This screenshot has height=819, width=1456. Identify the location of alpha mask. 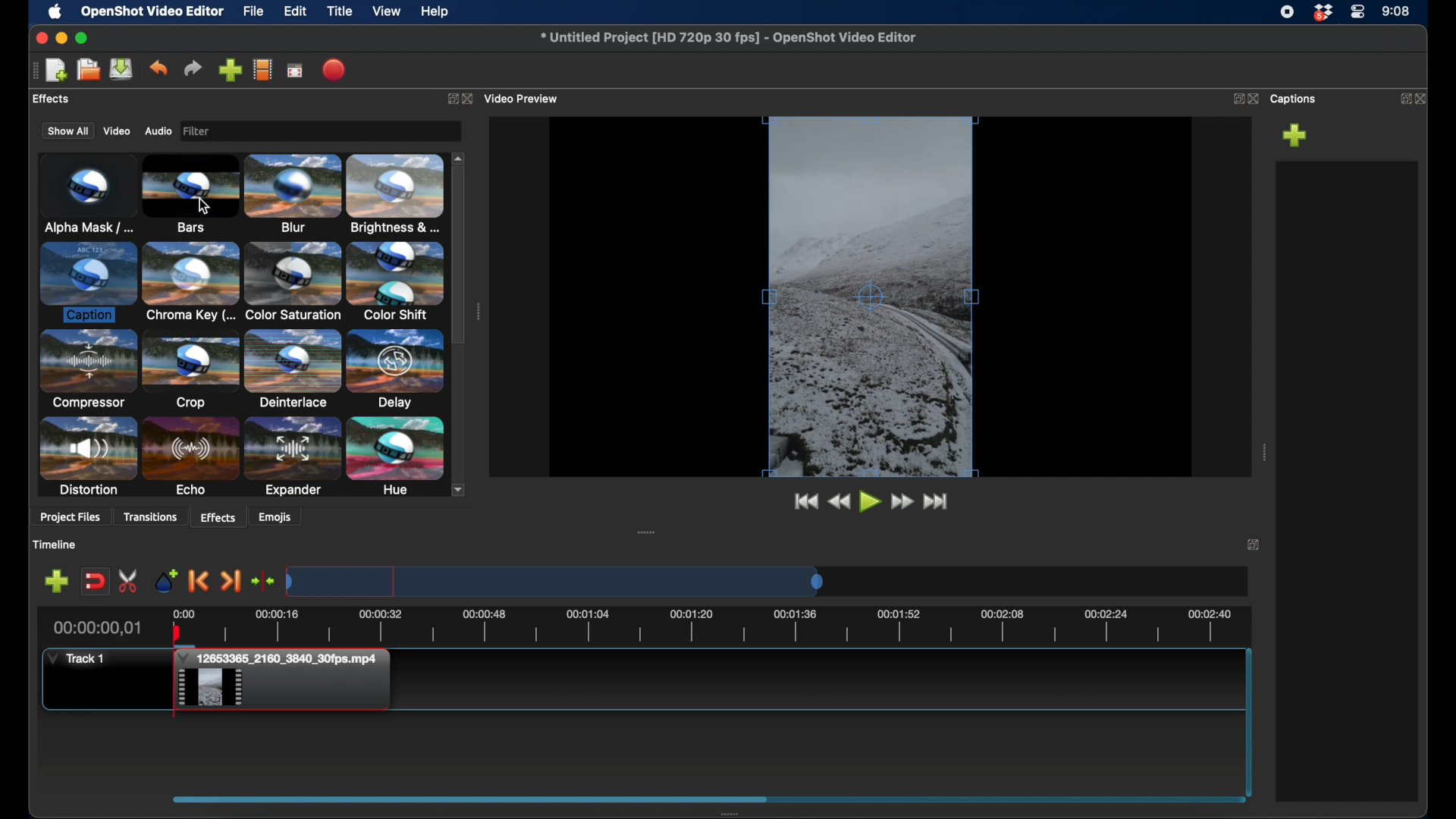
(86, 192).